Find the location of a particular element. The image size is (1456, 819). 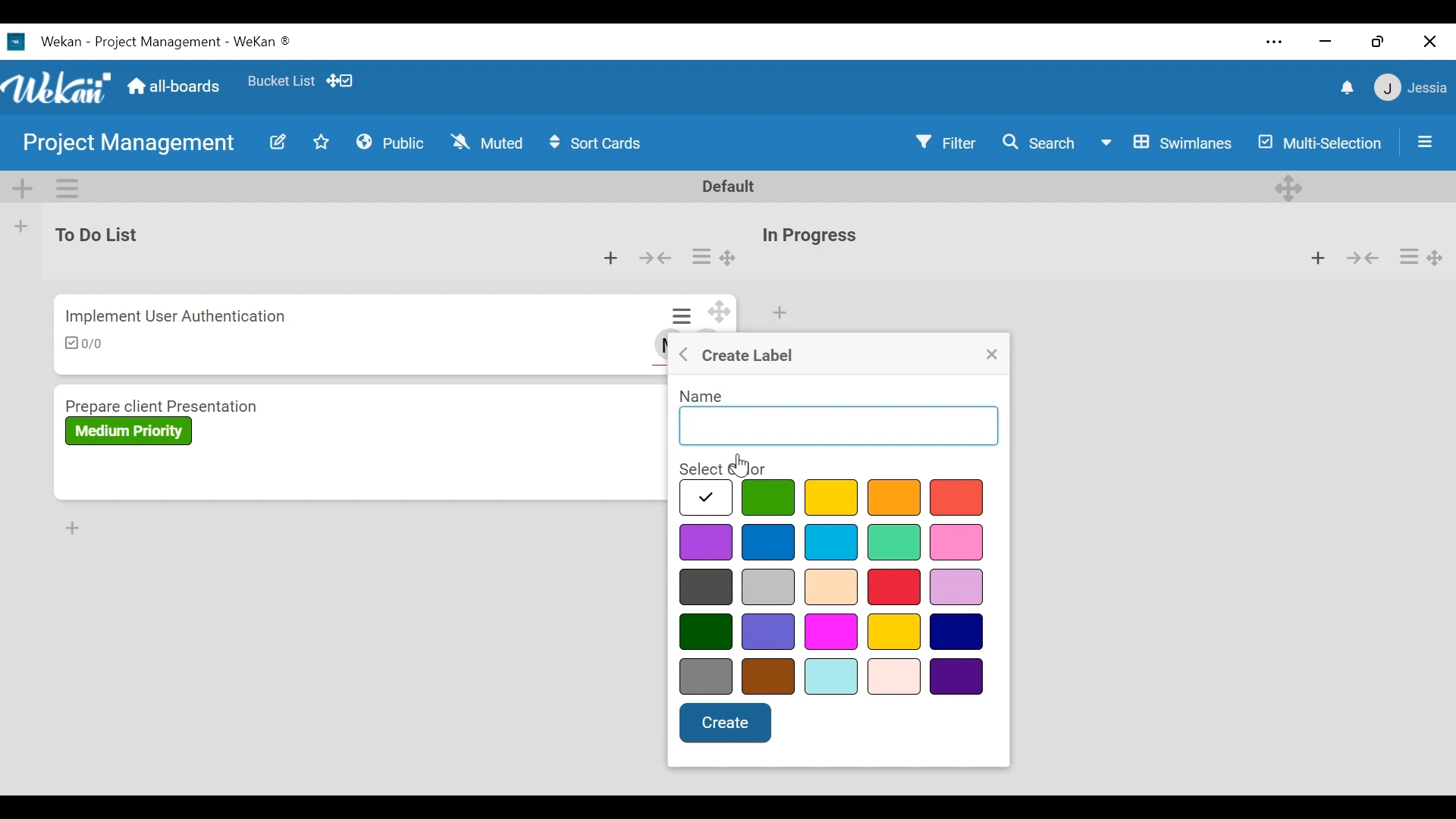

Card actions is located at coordinates (685, 317).